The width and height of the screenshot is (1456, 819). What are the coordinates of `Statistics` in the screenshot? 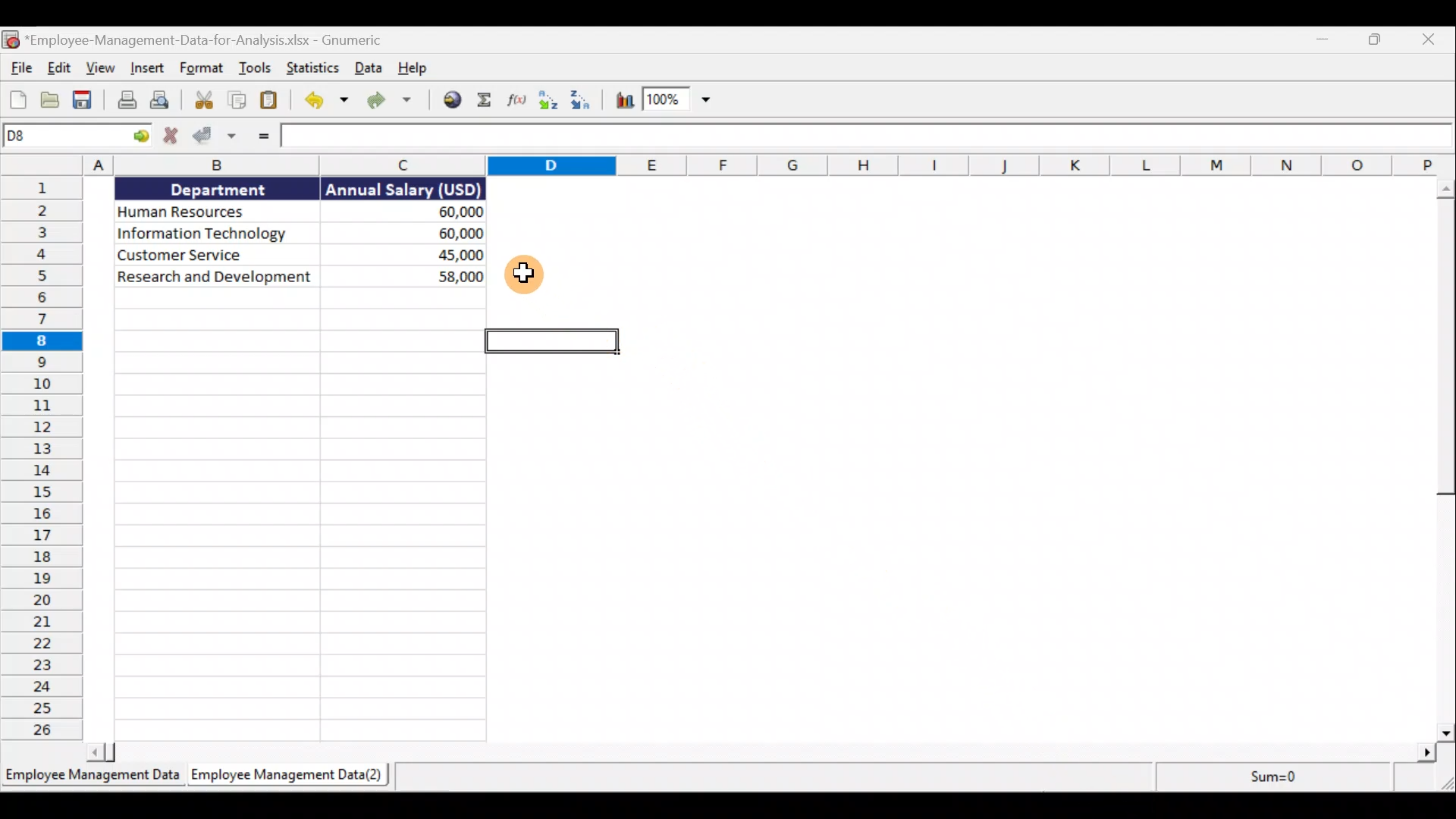 It's located at (315, 68).